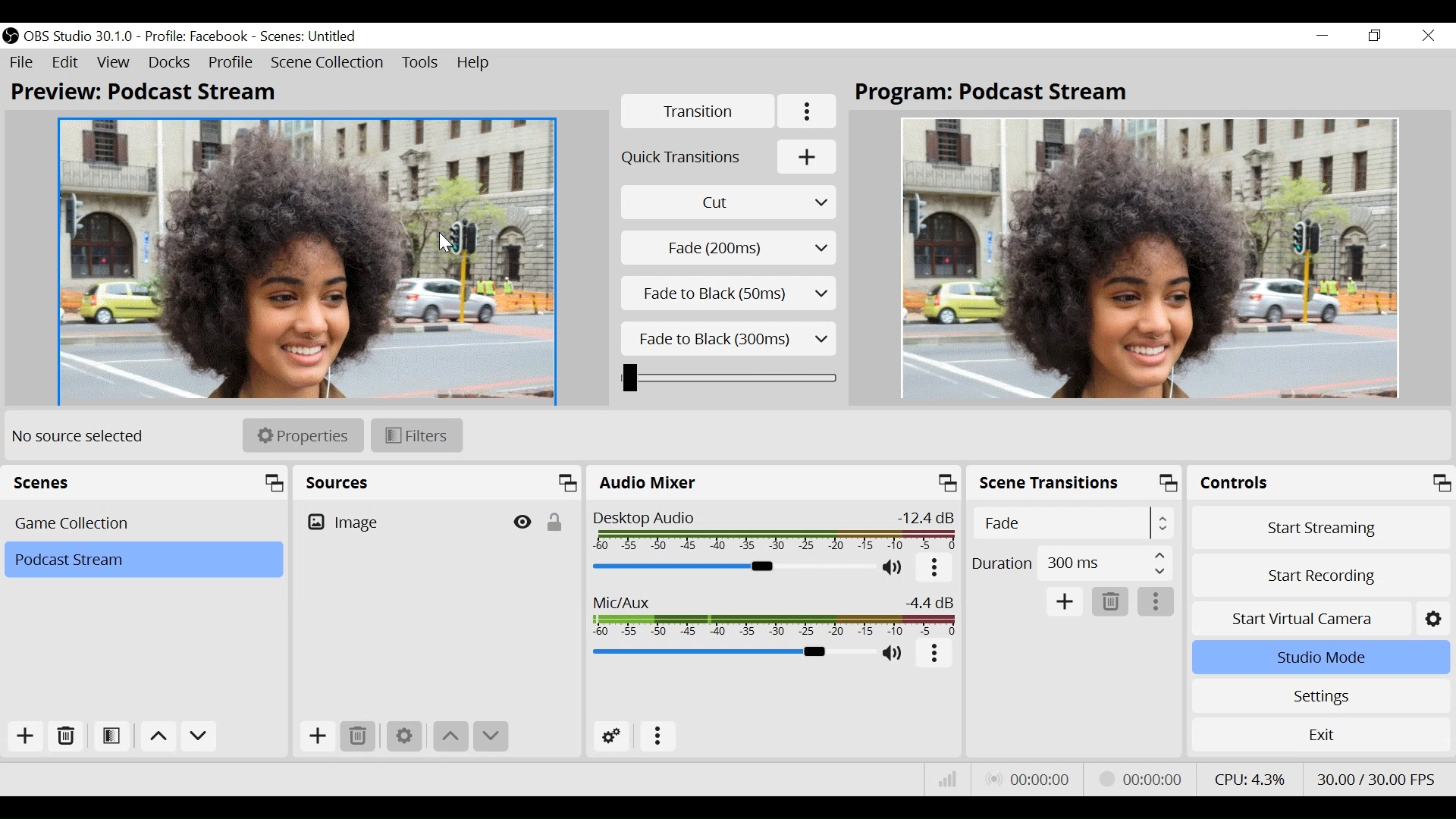  I want to click on Audio Mixer, so click(773, 482).